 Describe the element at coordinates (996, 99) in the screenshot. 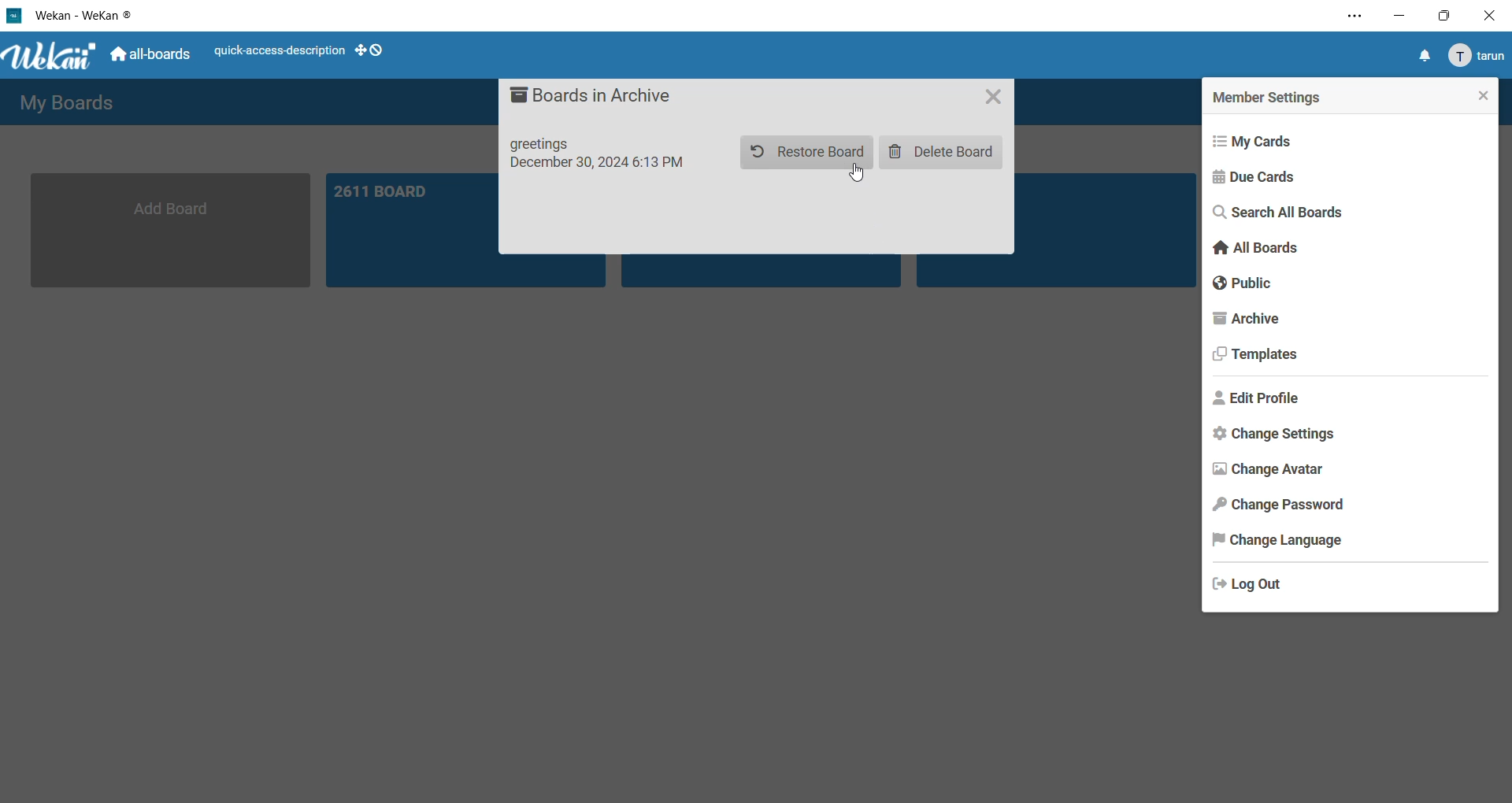

I see `close` at that location.